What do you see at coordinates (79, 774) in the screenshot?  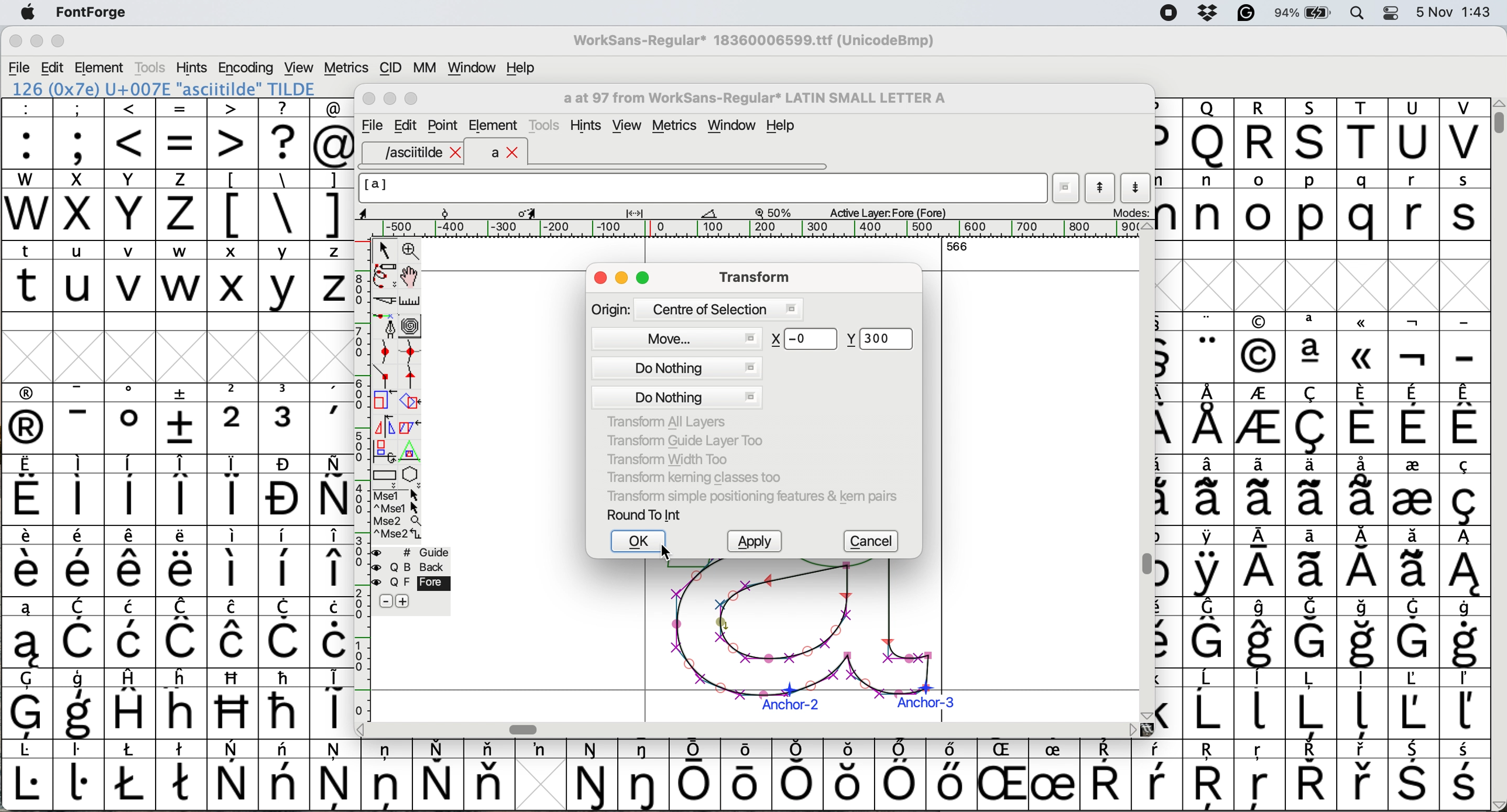 I see `symbol` at bounding box center [79, 774].